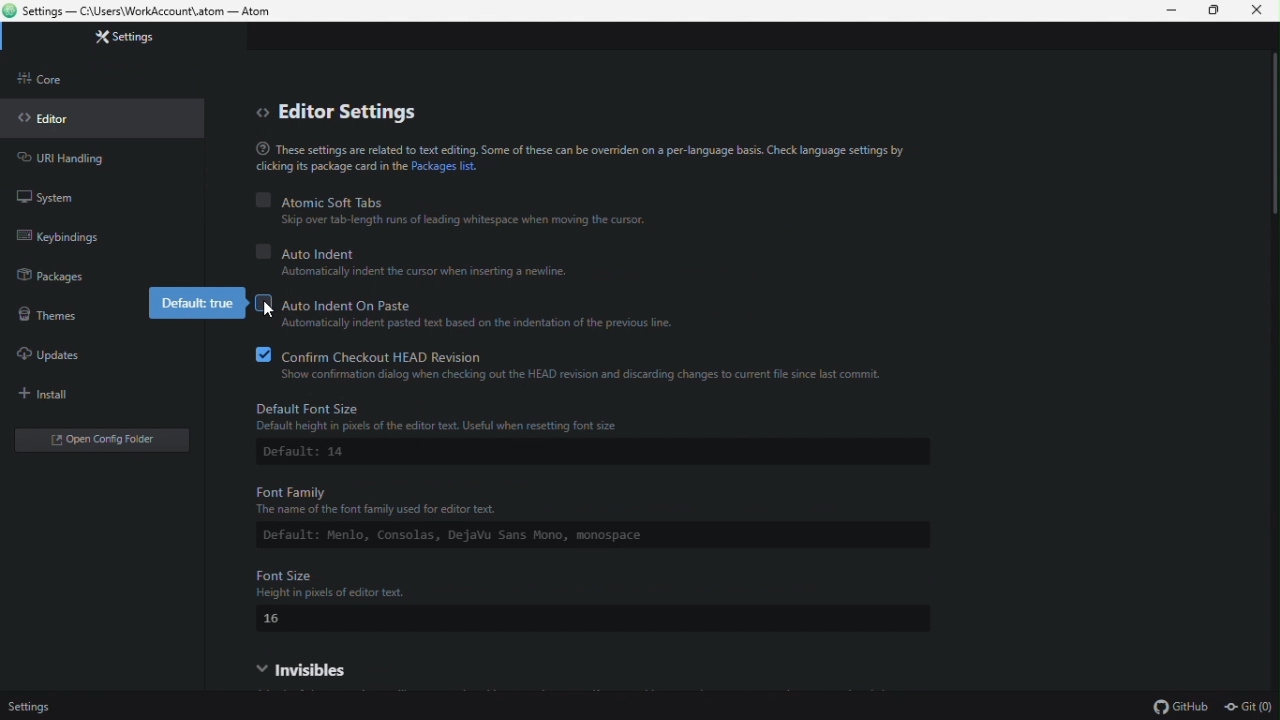  Describe the element at coordinates (536, 536) in the screenshot. I see `Default: Menlo, Consolas, DejaVu Sans Mono, monospace` at that location.